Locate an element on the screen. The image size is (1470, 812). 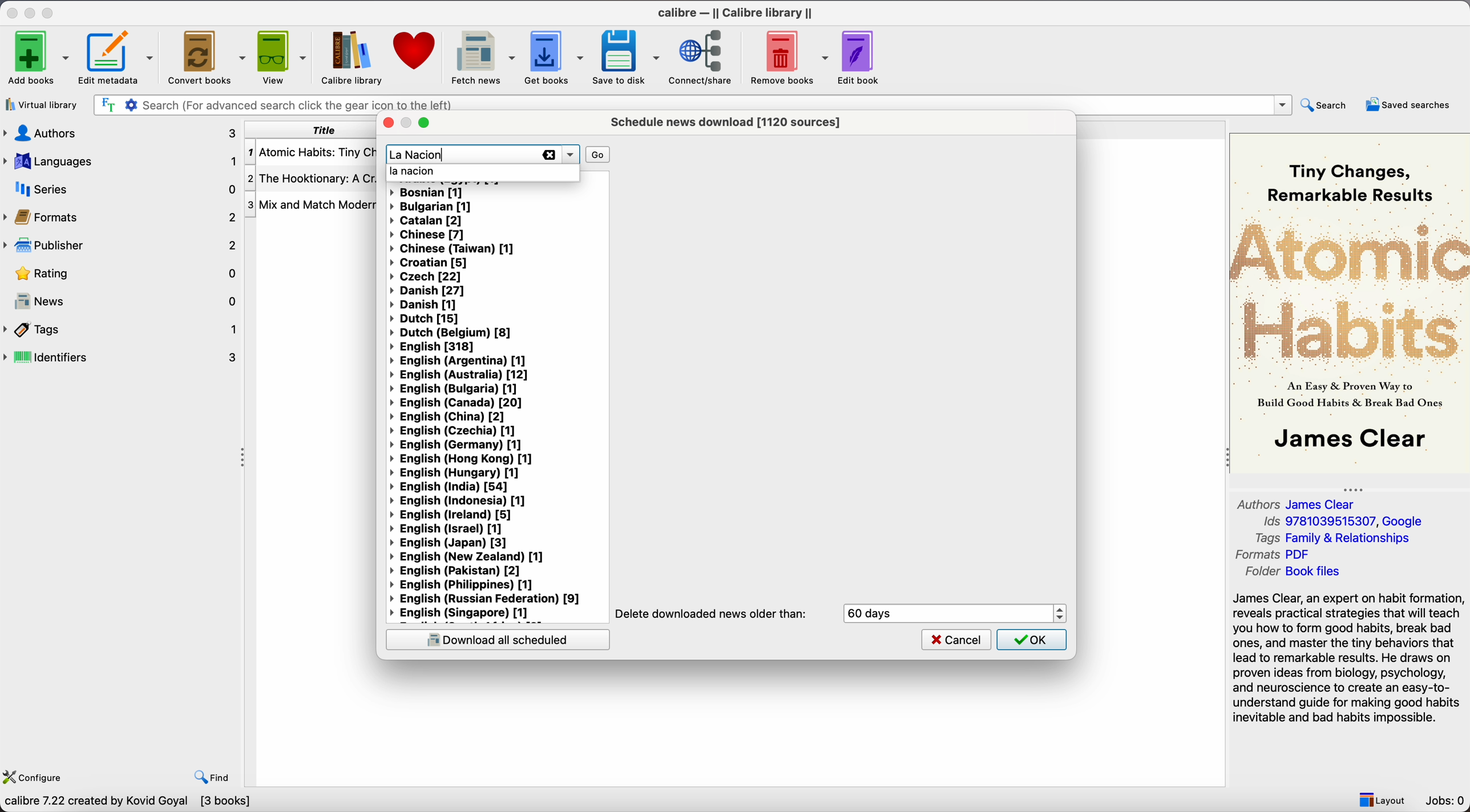
English (New Zealand) is located at coordinates (473, 558).